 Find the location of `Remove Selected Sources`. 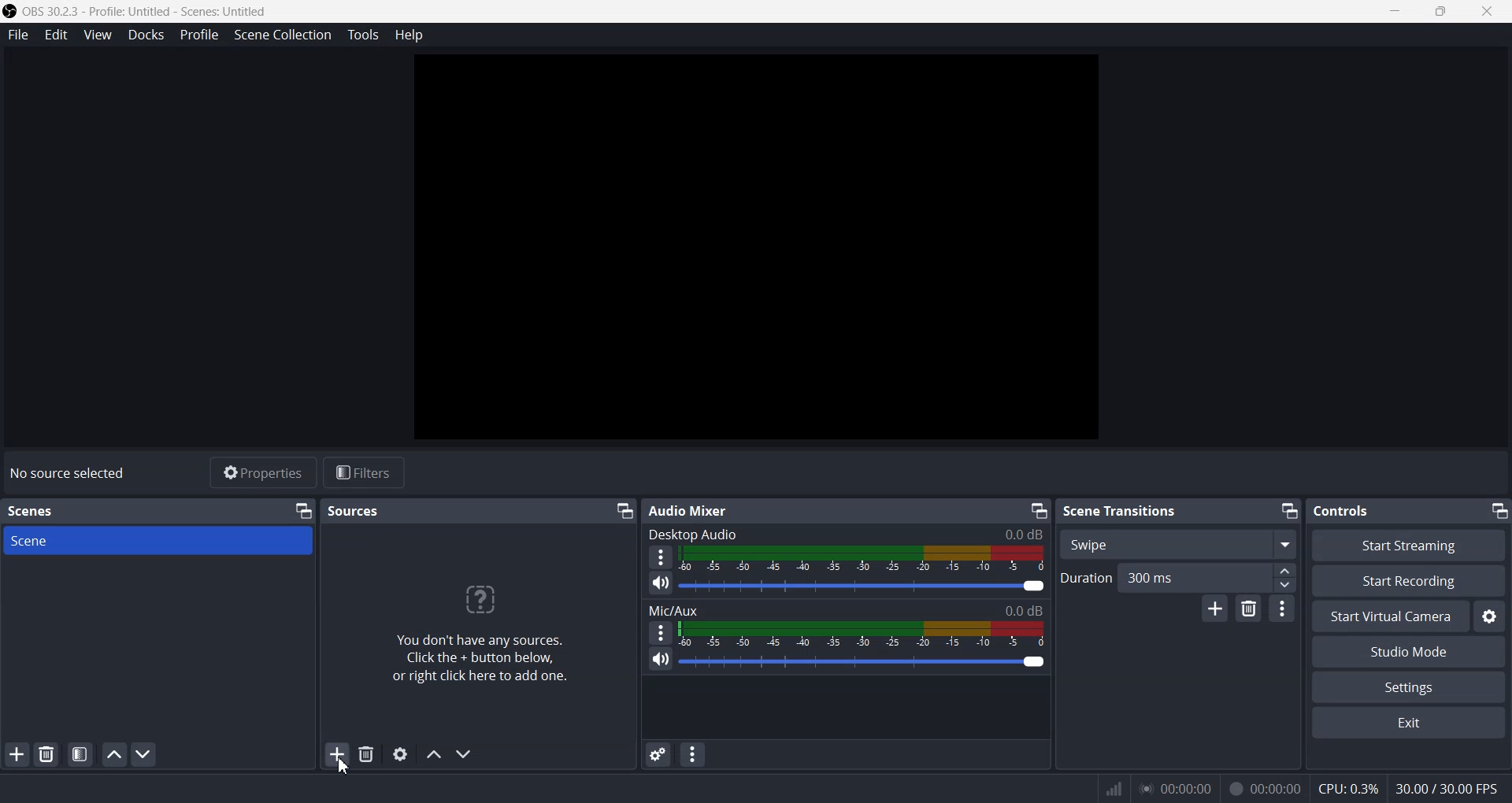

Remove Selected Sources is located at coordinates (367, 754).